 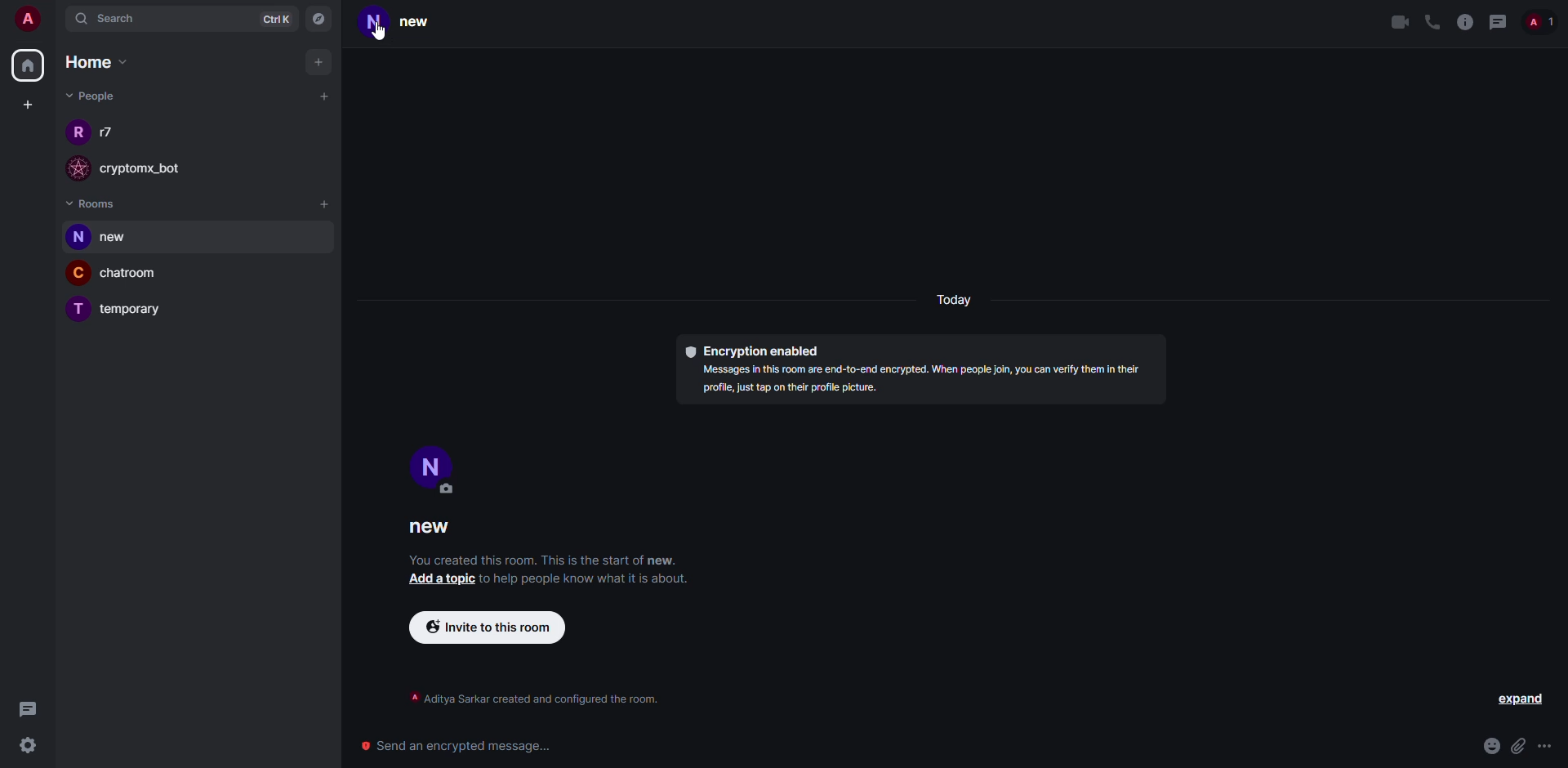 What do you see at coordinates (752, 351) in the screenshot?
I see `encryption enabled` at bounding box center [752, 351].